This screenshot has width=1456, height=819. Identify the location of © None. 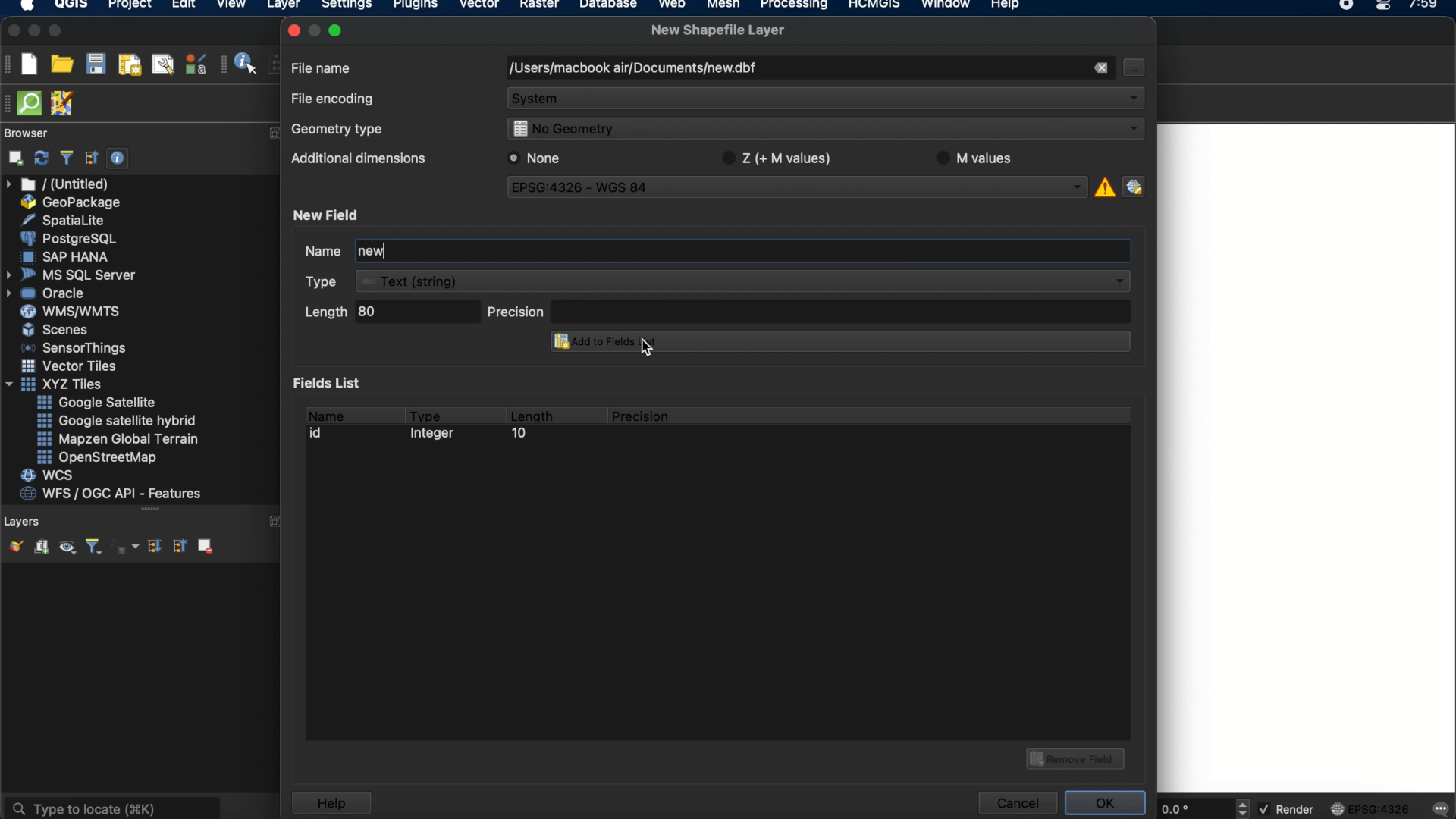
(535, 158).